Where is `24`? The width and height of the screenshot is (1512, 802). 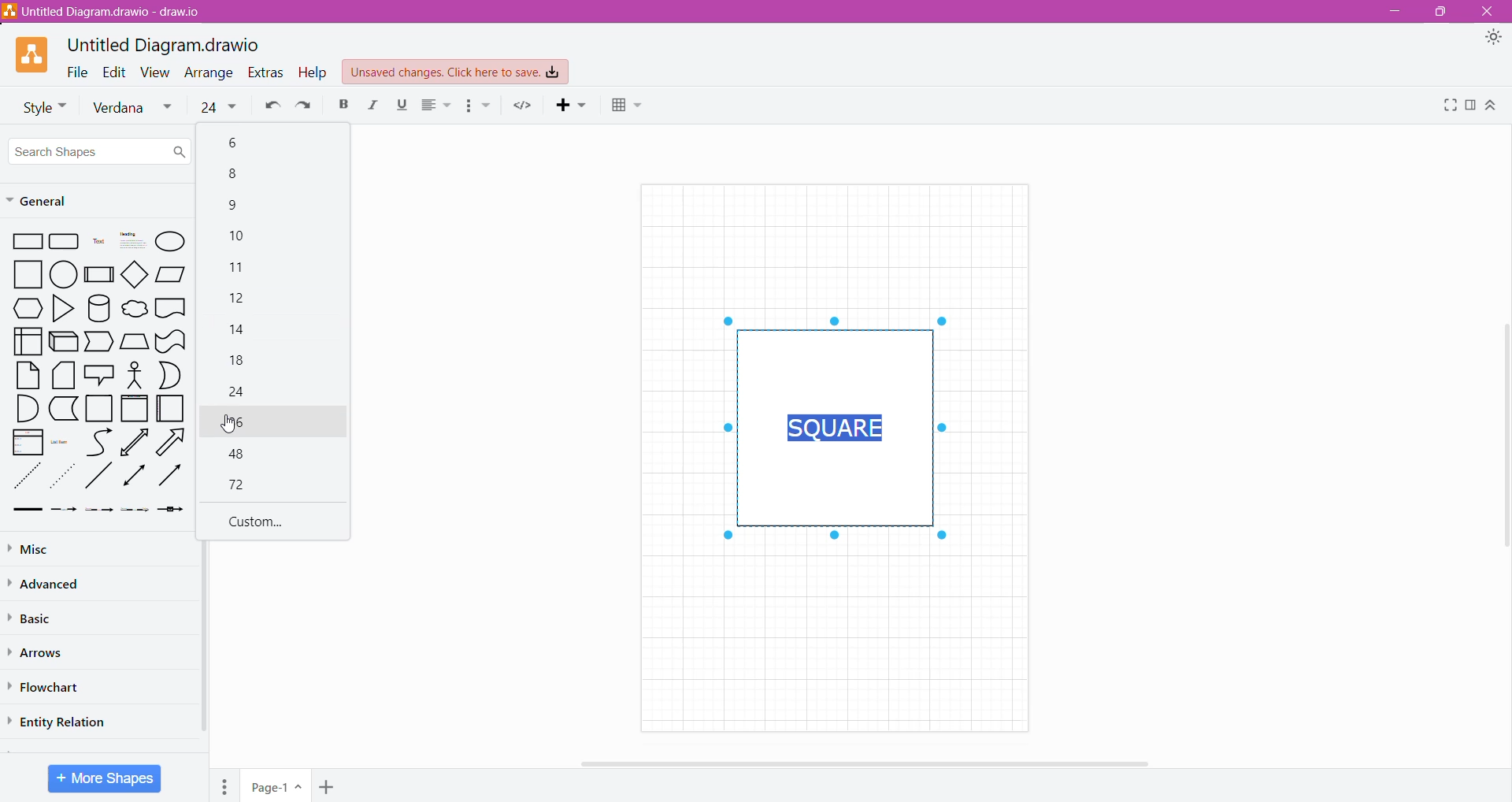 24 is located at coordinates (239, 392).